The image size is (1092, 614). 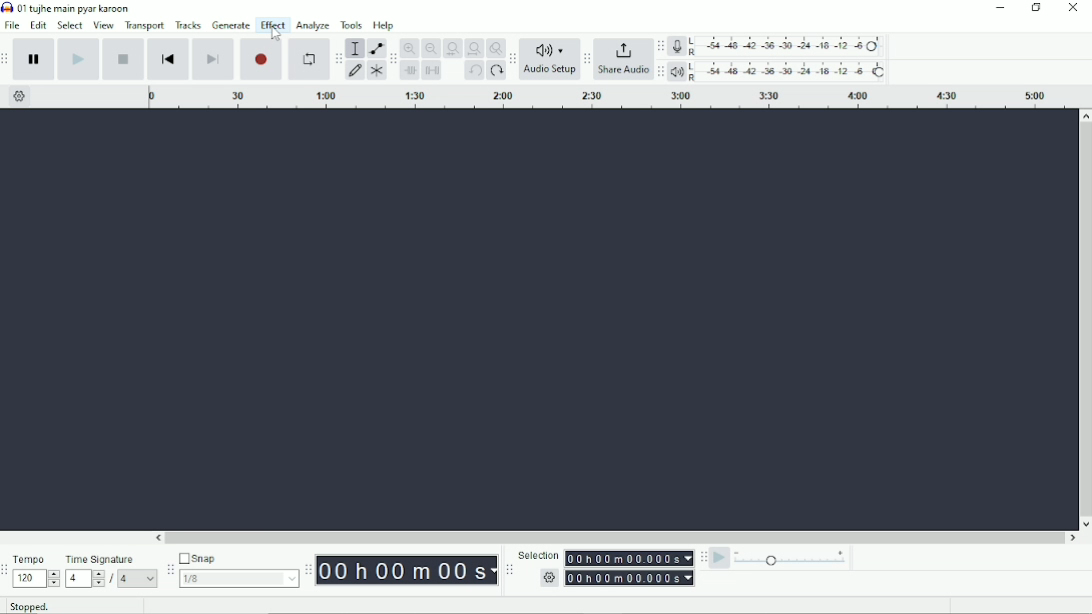 I want to click on Skip to end, so click(x=213, y=59).